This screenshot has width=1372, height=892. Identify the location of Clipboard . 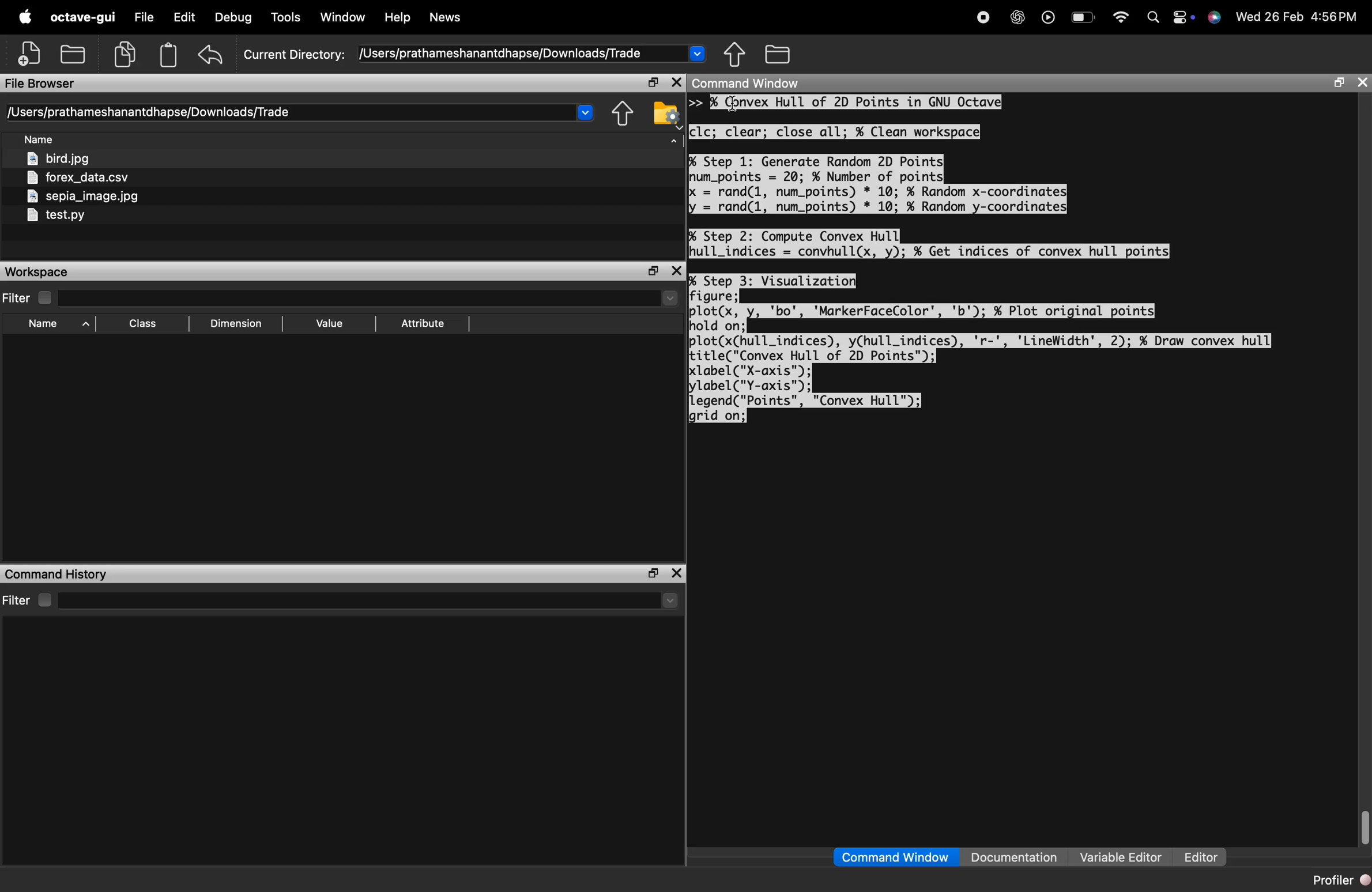
(168, 55).